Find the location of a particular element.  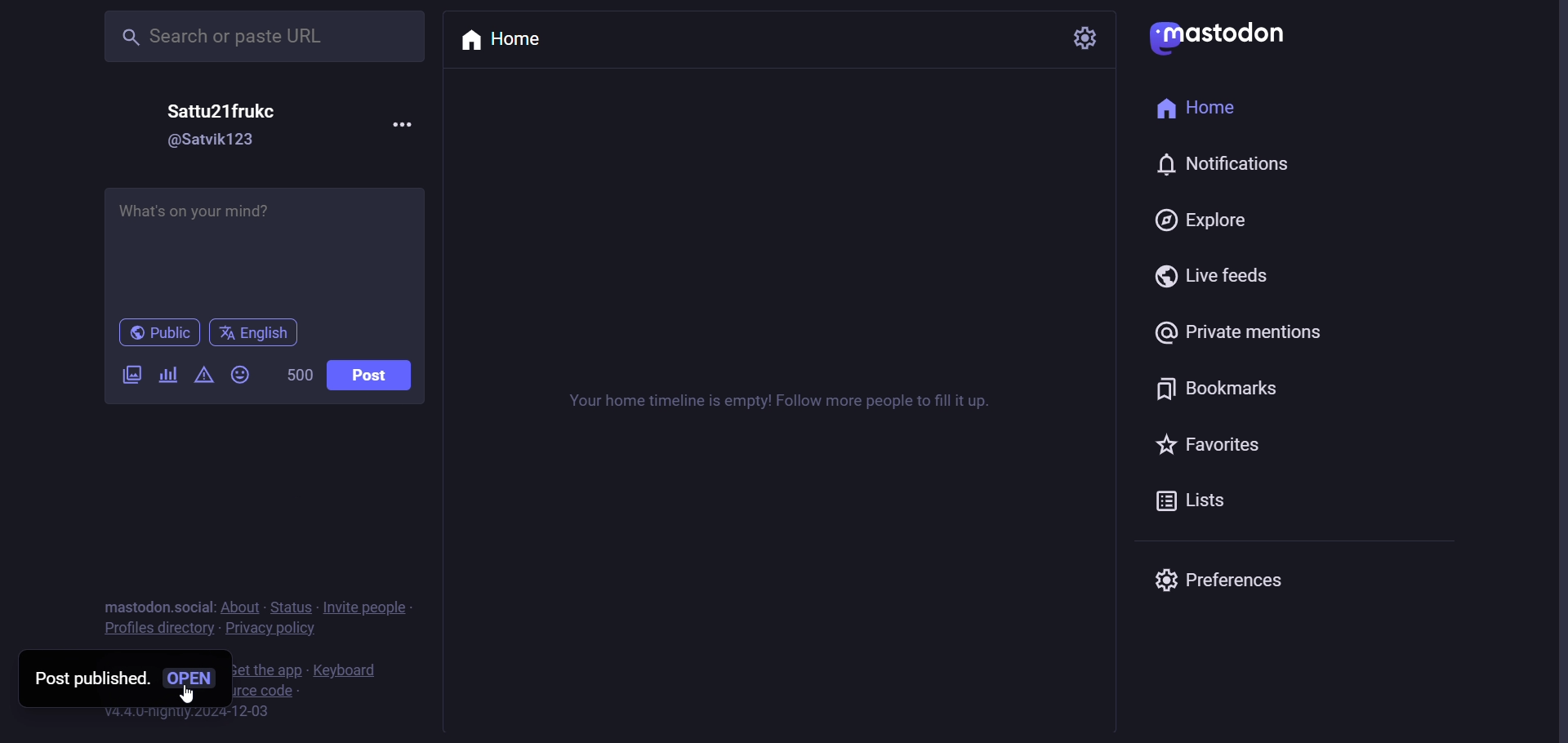

cursor is located at coordinates (202, 705).